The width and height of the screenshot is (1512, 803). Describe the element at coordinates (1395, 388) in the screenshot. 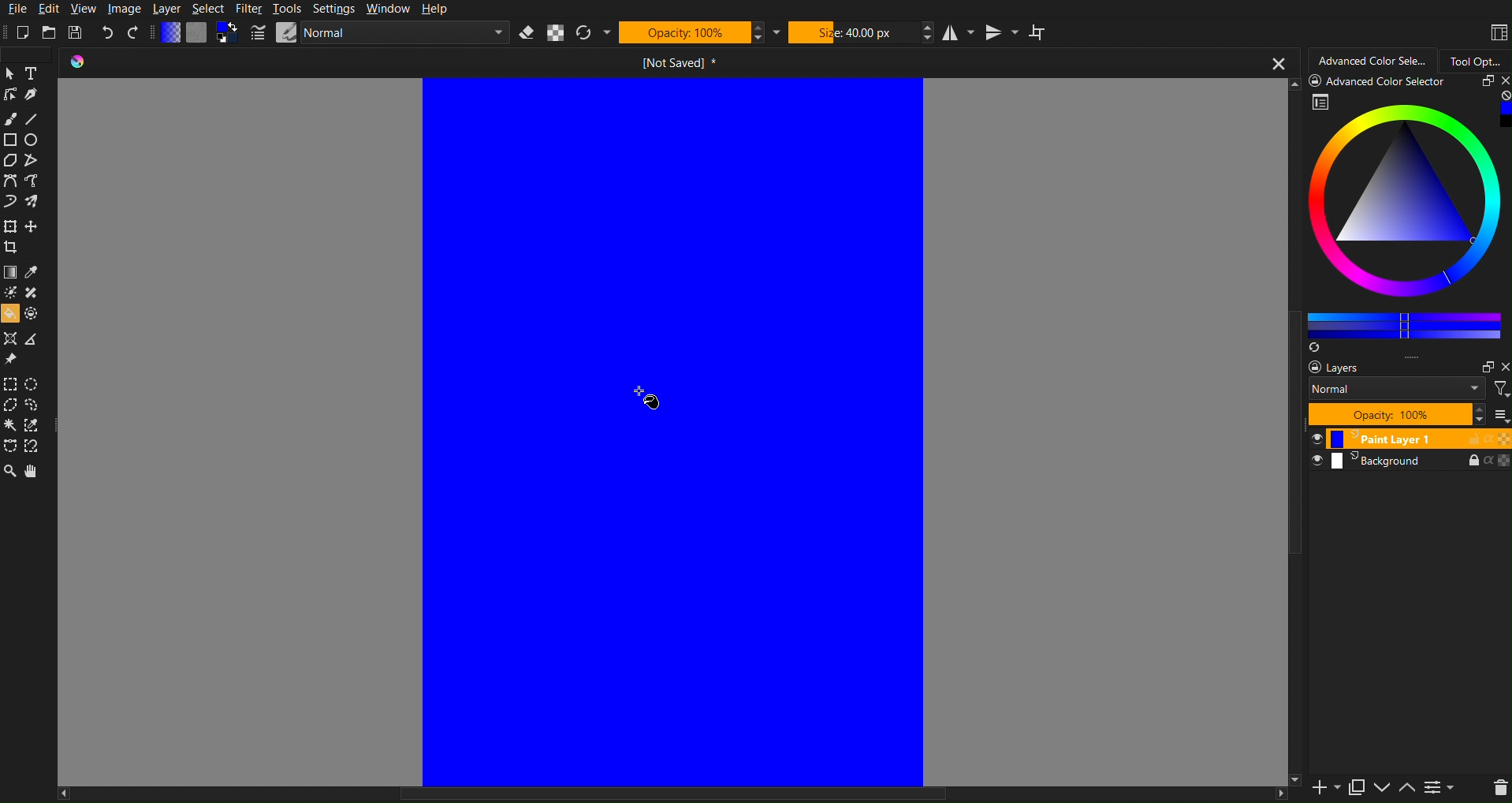

I see `normal` at that location.